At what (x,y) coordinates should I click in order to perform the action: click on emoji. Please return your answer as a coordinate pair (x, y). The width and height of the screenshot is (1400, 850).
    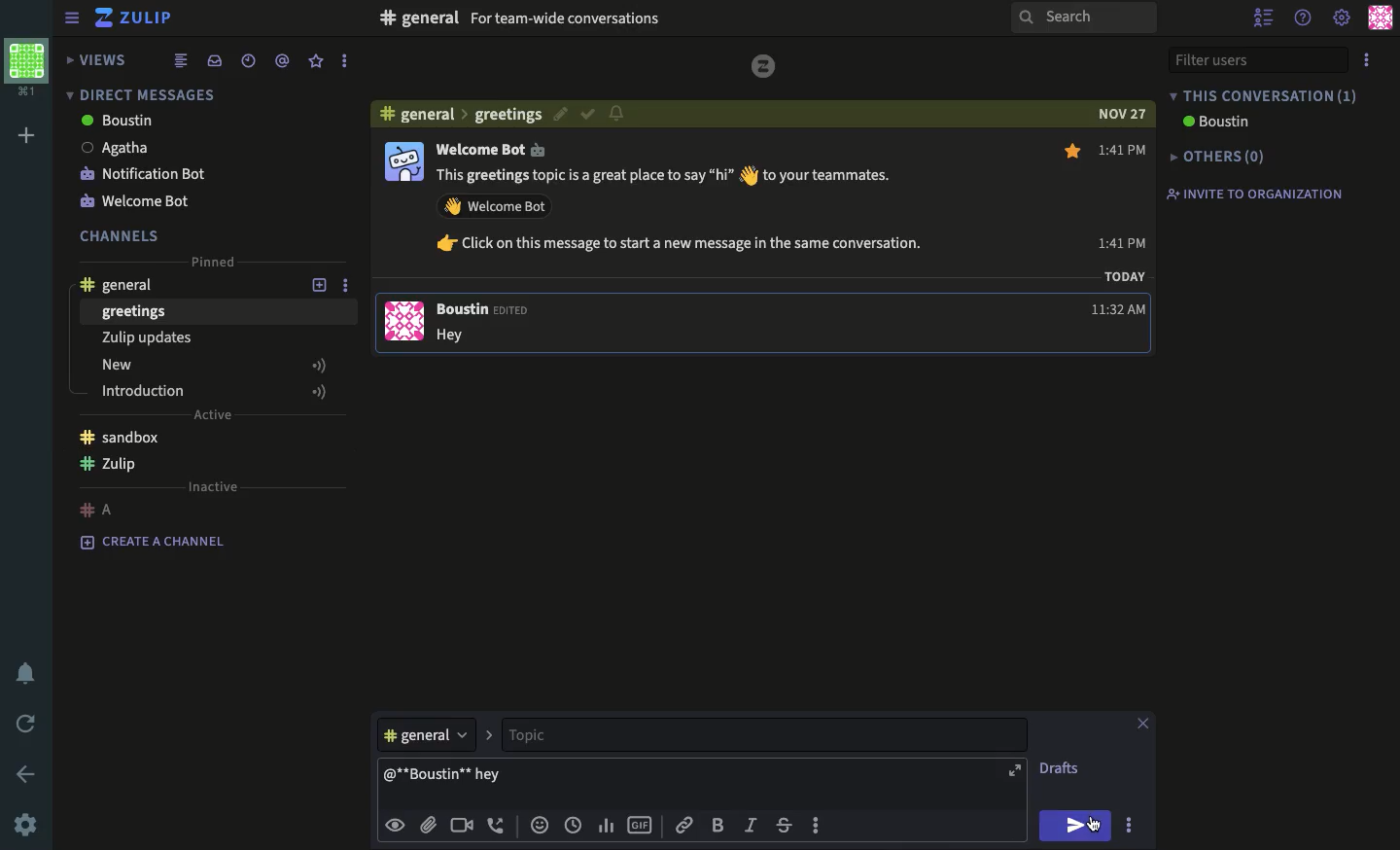
    Looking at the image, I should click on (540, 825).